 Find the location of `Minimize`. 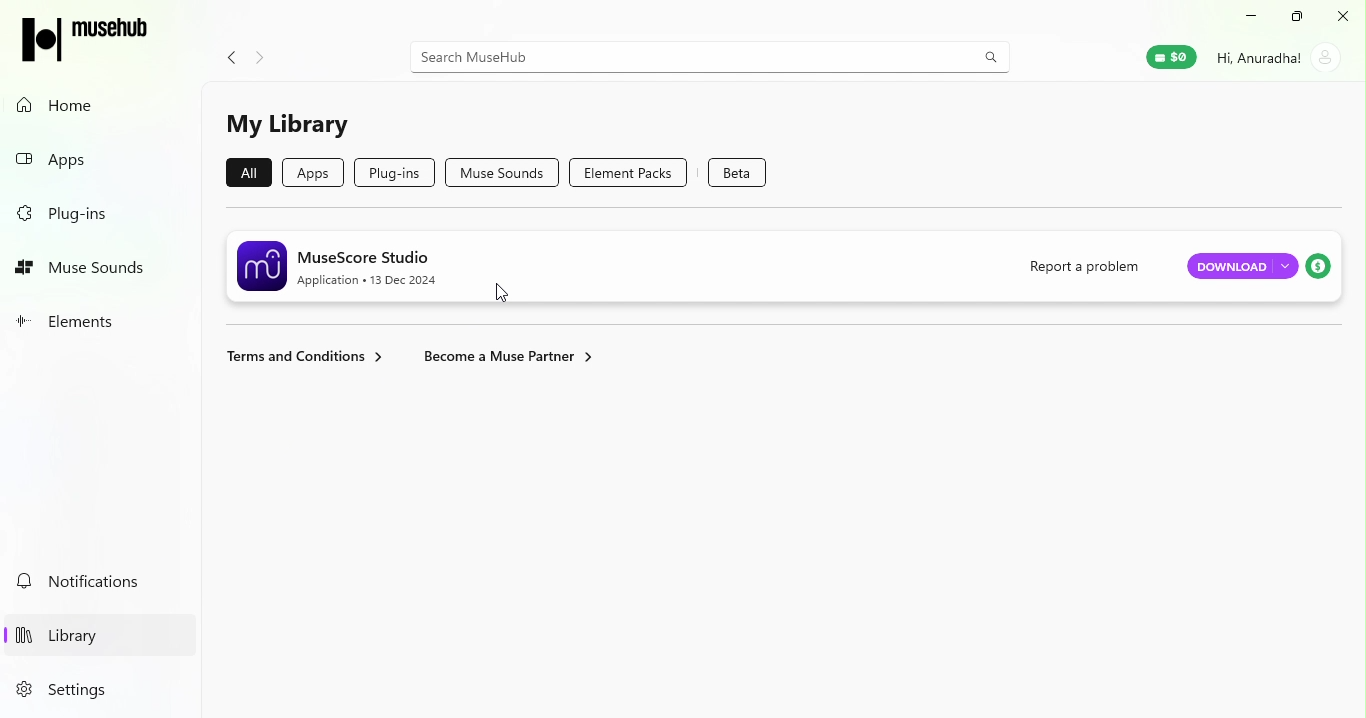

Minimize is located at coordinates (1255, 16).